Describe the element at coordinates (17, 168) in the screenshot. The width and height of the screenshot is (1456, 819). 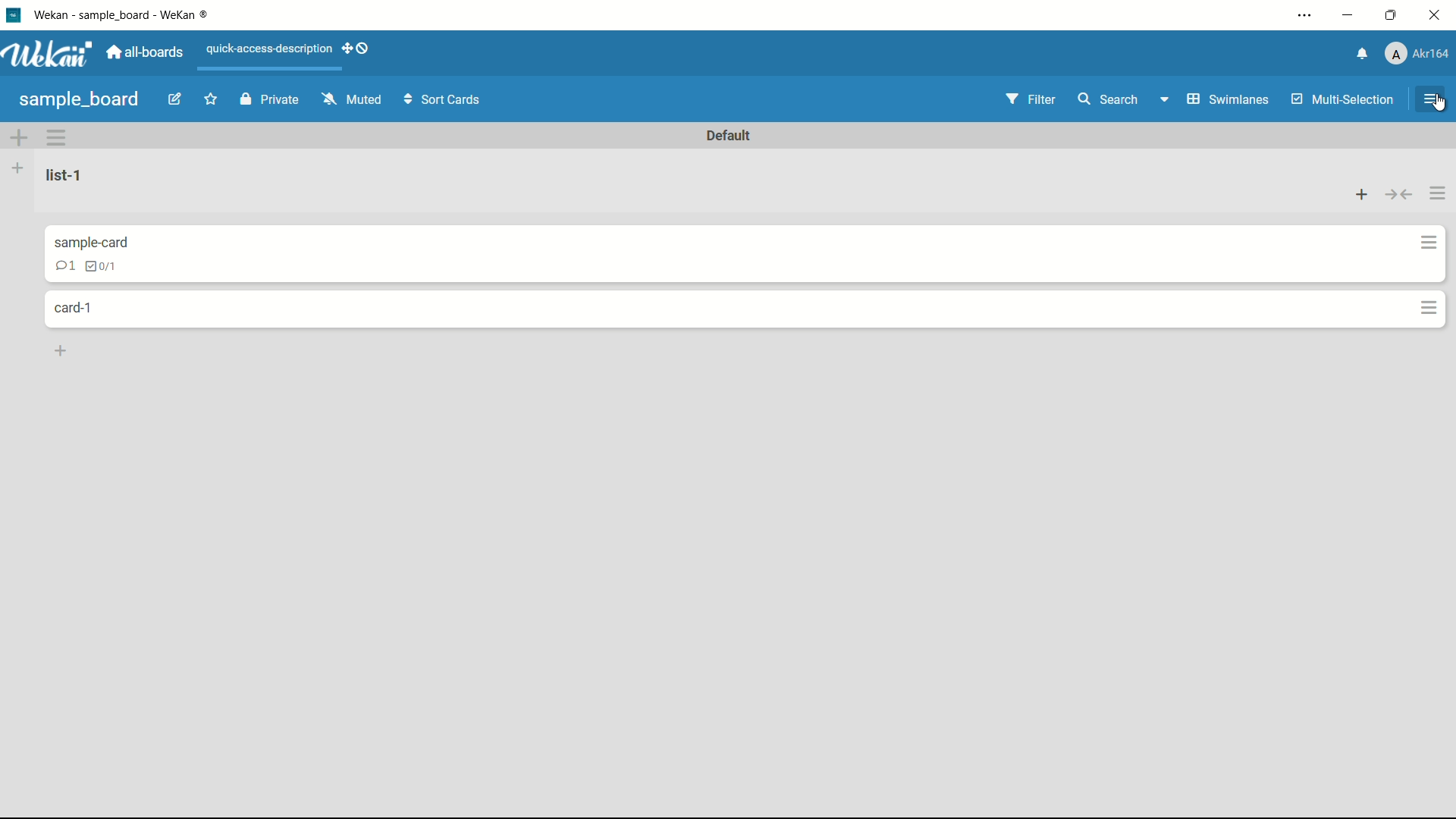
I see `add list` at that location.